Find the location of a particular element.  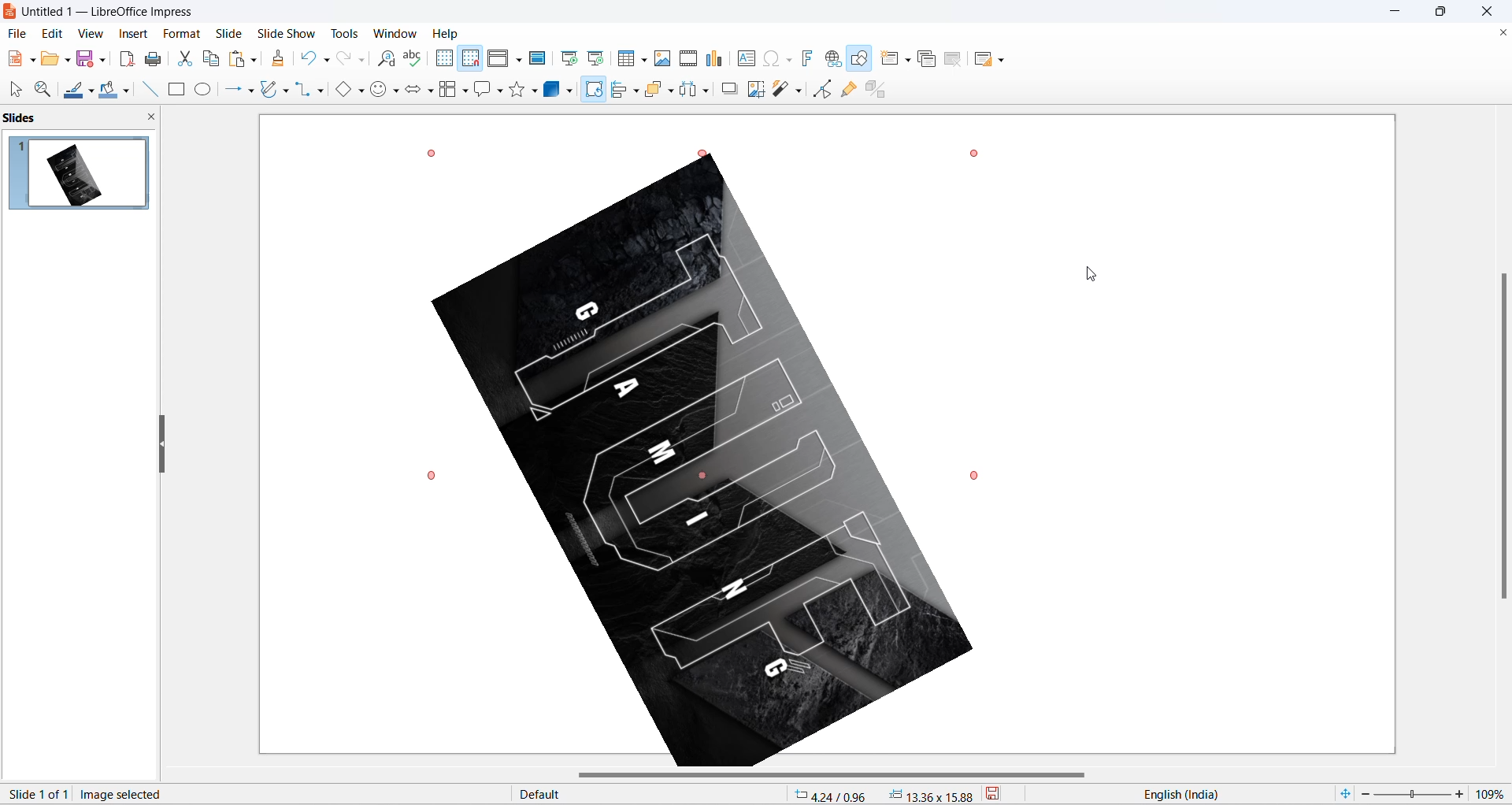

cut is located at coordinates (187, 58).